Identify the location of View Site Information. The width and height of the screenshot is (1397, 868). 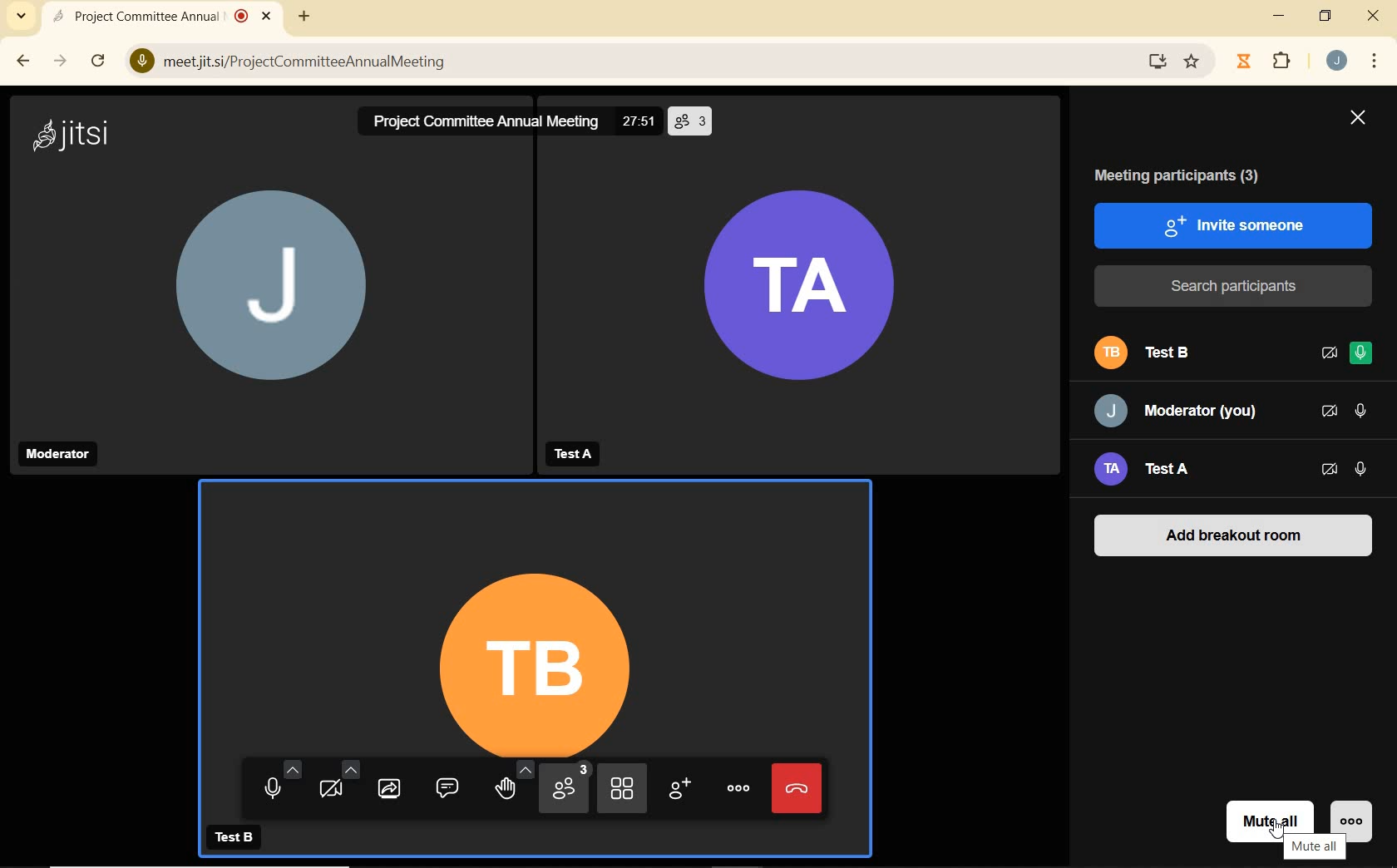
(138, 62).